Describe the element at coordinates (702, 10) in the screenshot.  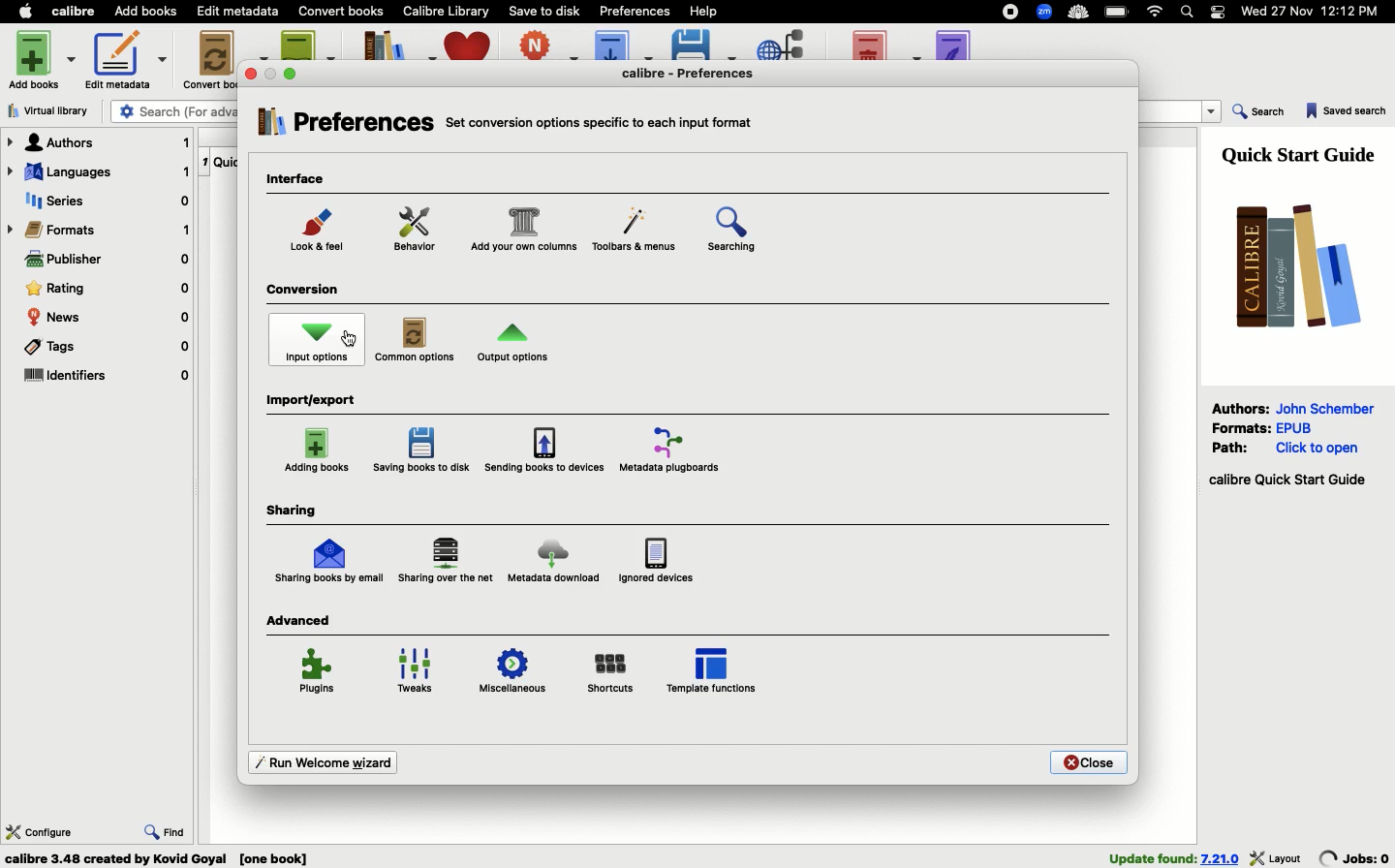
I see `Help` at that location.